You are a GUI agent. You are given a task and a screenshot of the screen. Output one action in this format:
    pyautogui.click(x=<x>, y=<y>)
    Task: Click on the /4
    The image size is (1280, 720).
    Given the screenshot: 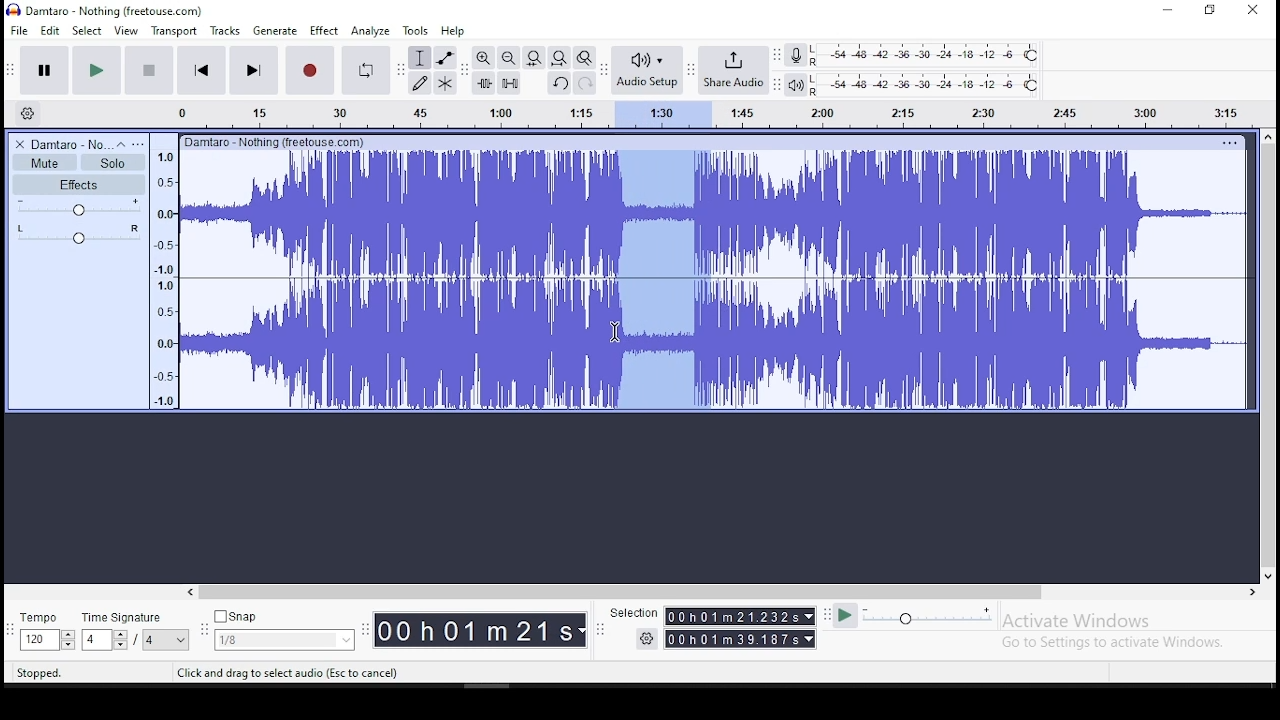 What is the action you would take?
    pyautogui.click(x=150, y=639)
    